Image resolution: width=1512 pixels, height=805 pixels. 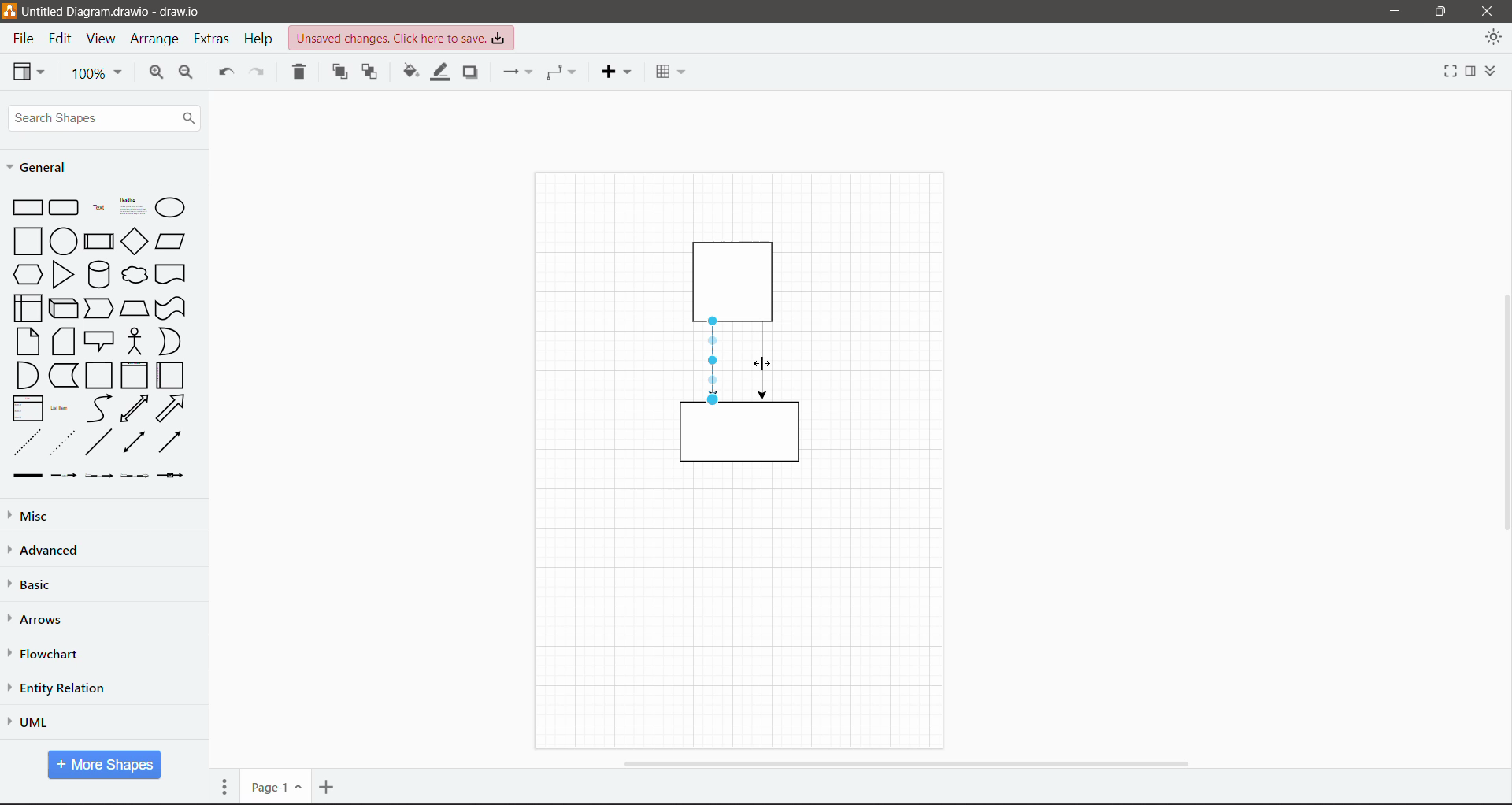 I want to click on File, so click(x=22, y=39).